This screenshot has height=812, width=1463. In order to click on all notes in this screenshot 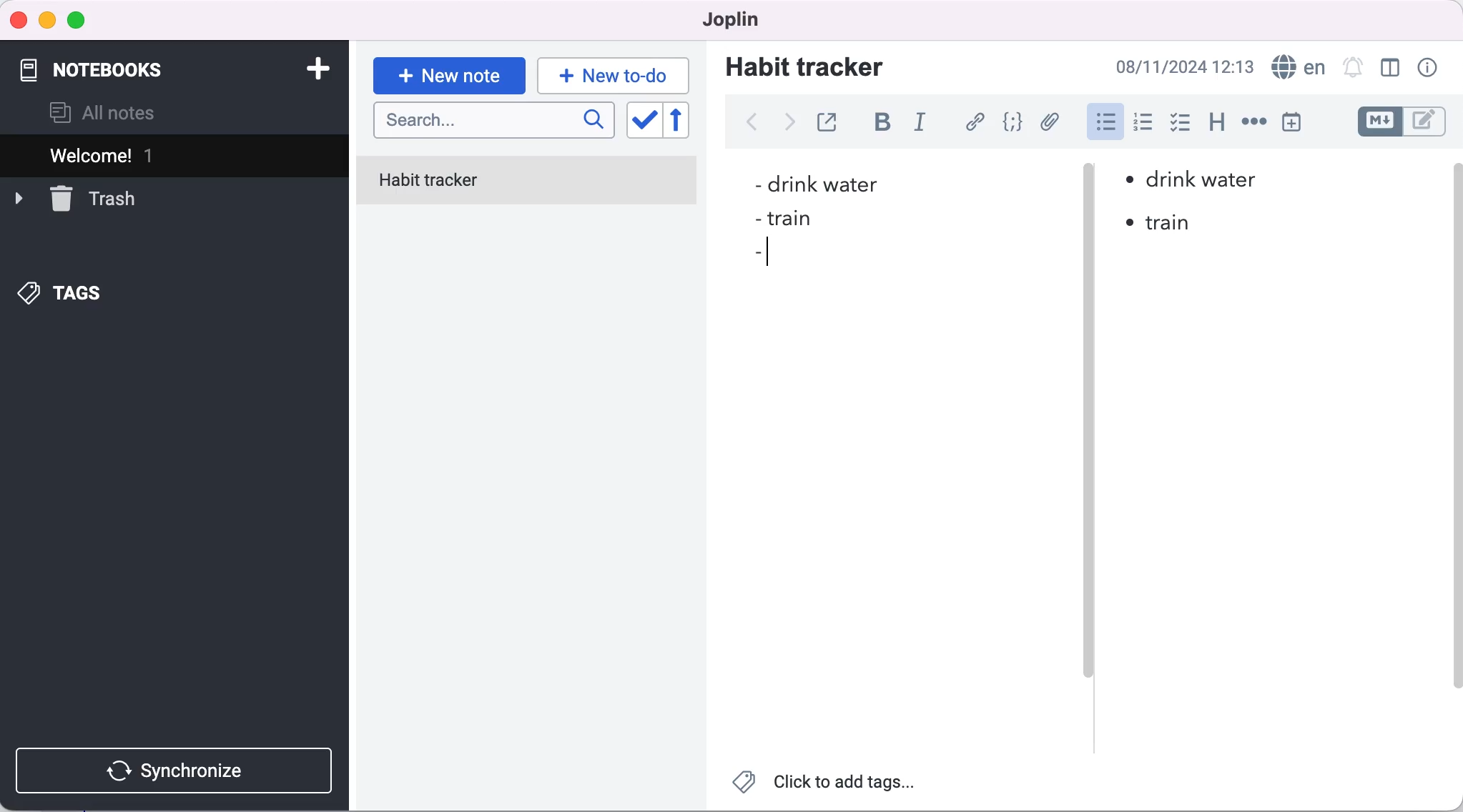, I will do `click(103, 113)`.